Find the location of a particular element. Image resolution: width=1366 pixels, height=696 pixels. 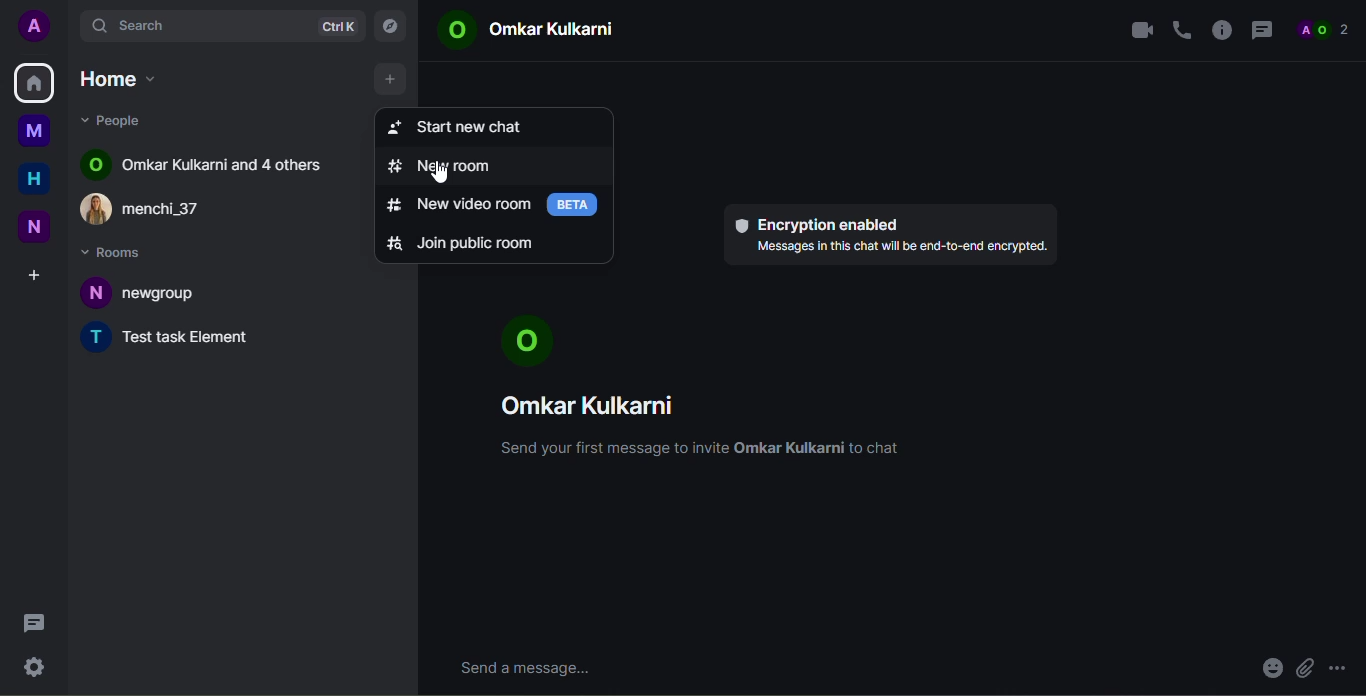

info is located at coordinates (1221, 28).